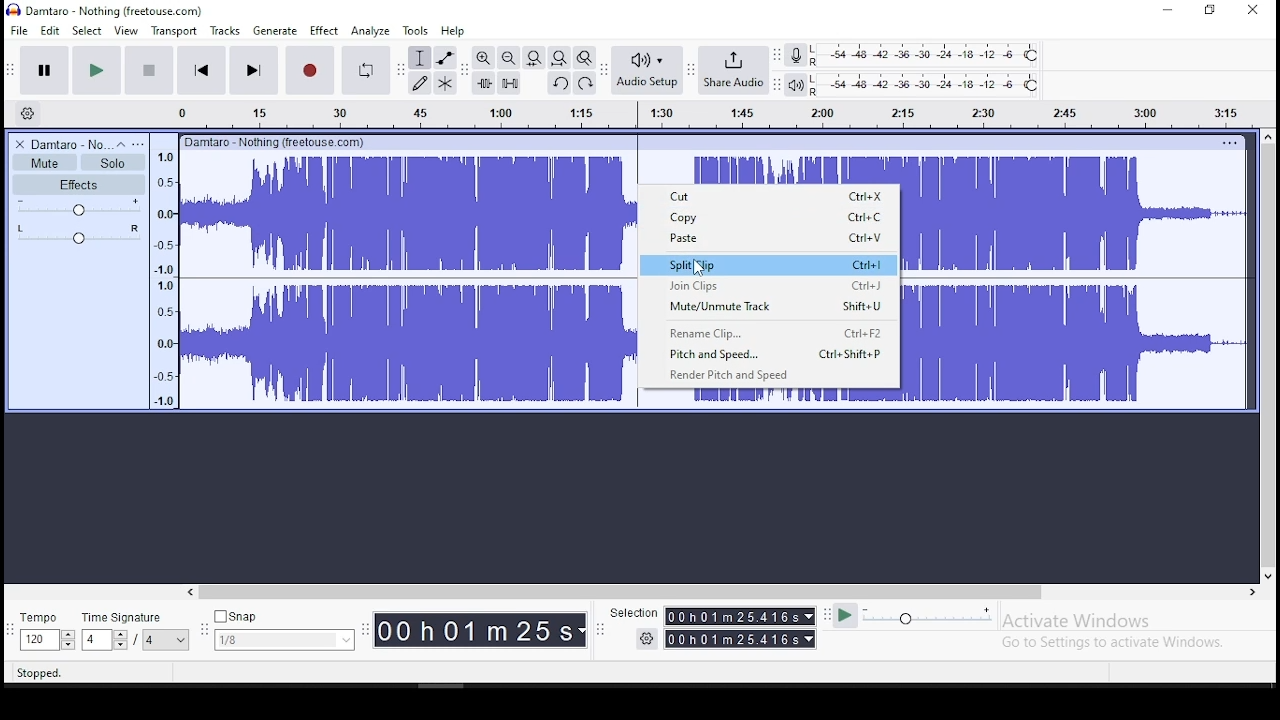 This screenshot has width=1280, height=720. Describe the element at coordinates (225, 31) in the screenshot. I see `tracks` at that location.